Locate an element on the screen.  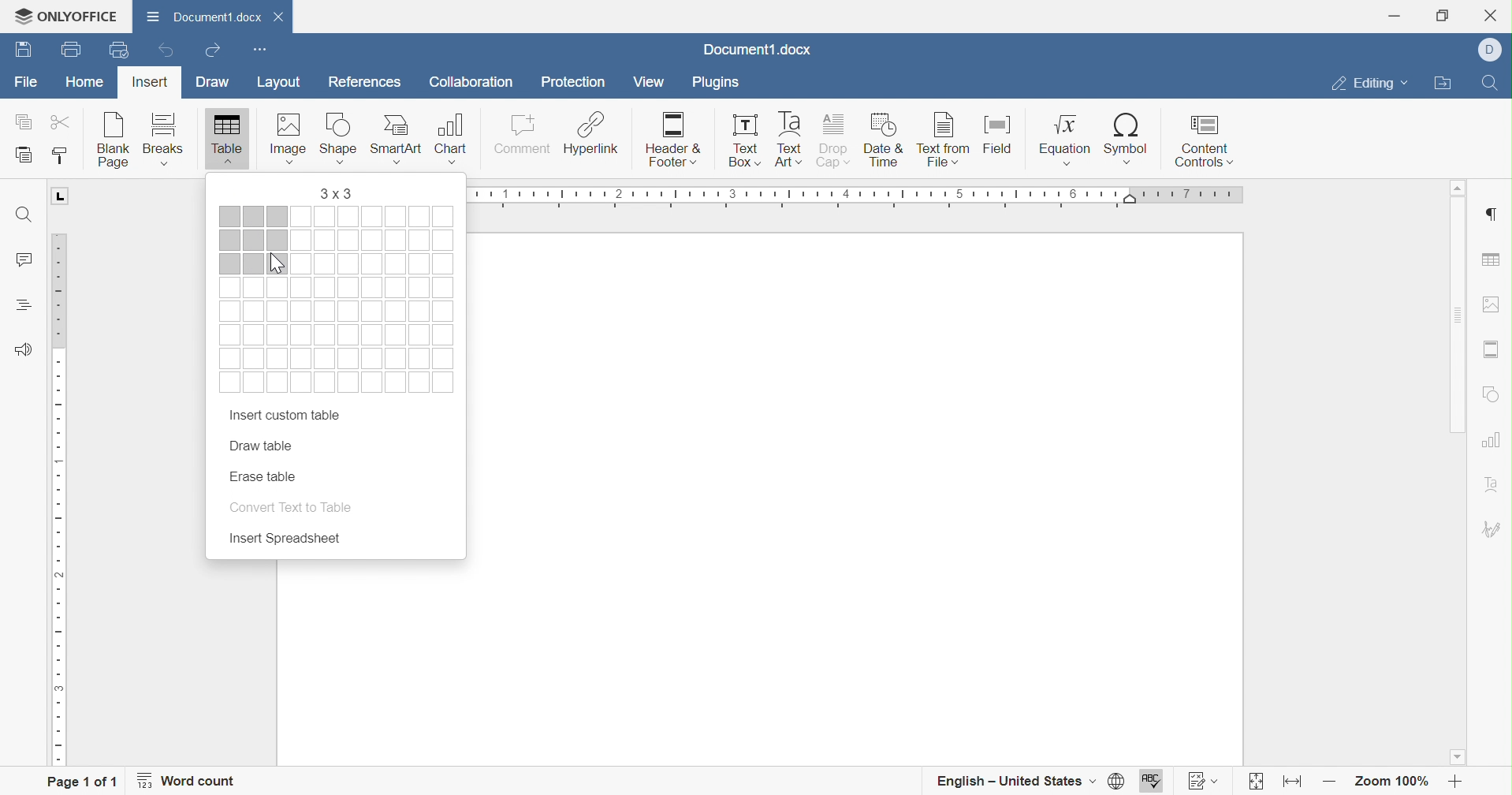
ONLYOFFICE is located at coordinates (72, 17).